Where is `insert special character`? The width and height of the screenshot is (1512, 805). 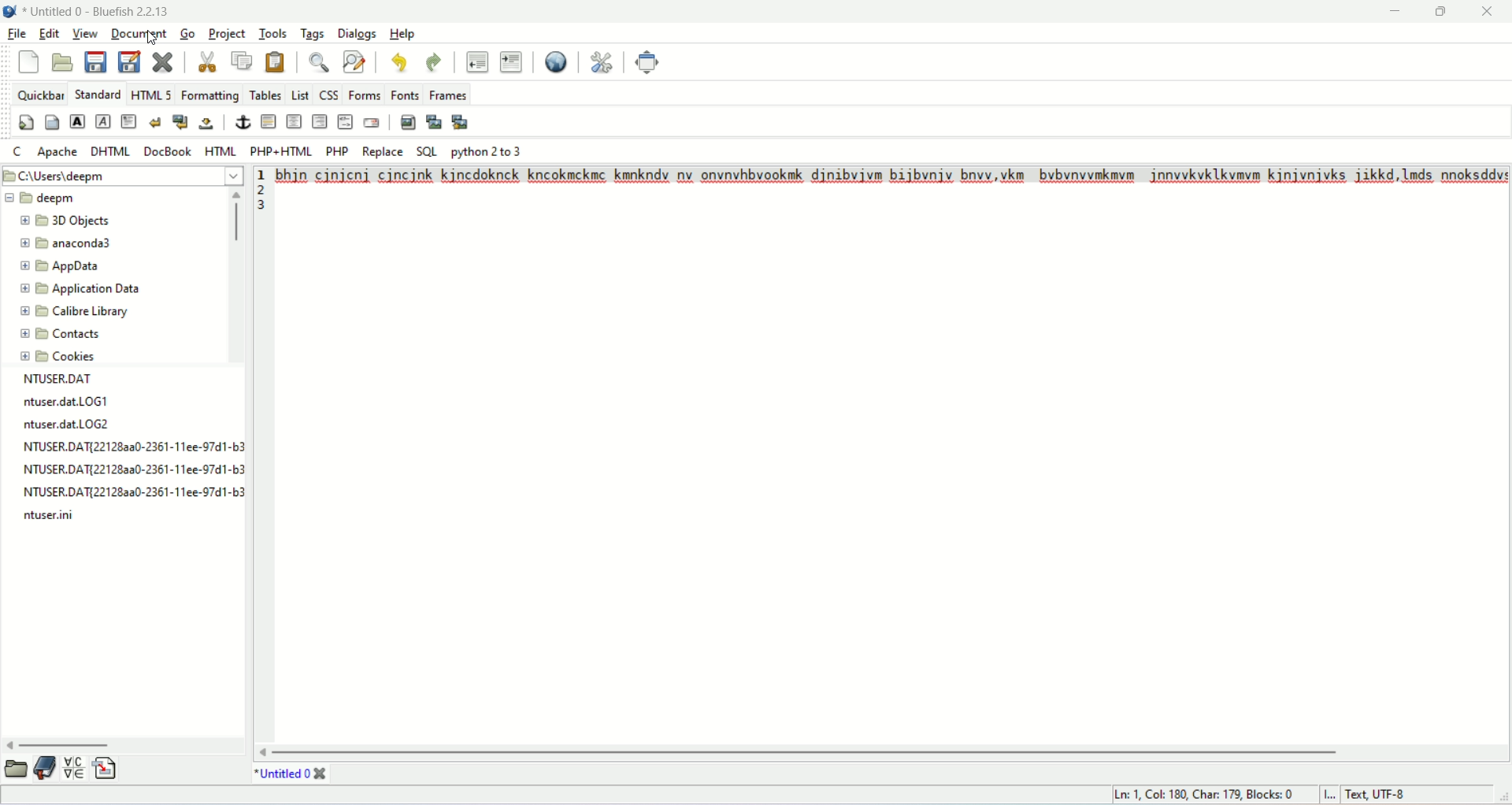
insert special character is located at coordinates (73, 768).